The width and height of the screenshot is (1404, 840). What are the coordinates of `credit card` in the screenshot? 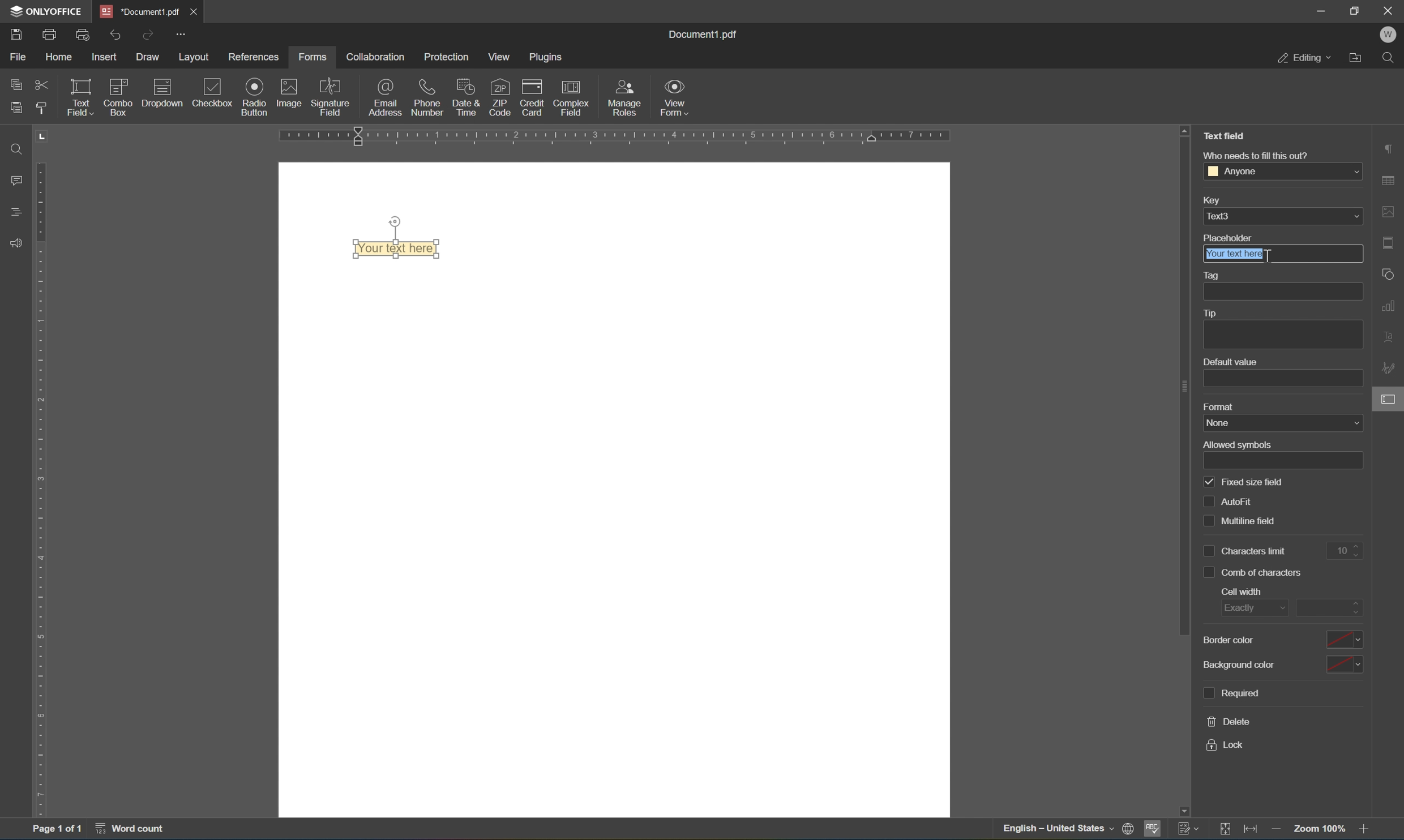 It's located at (533, 96).